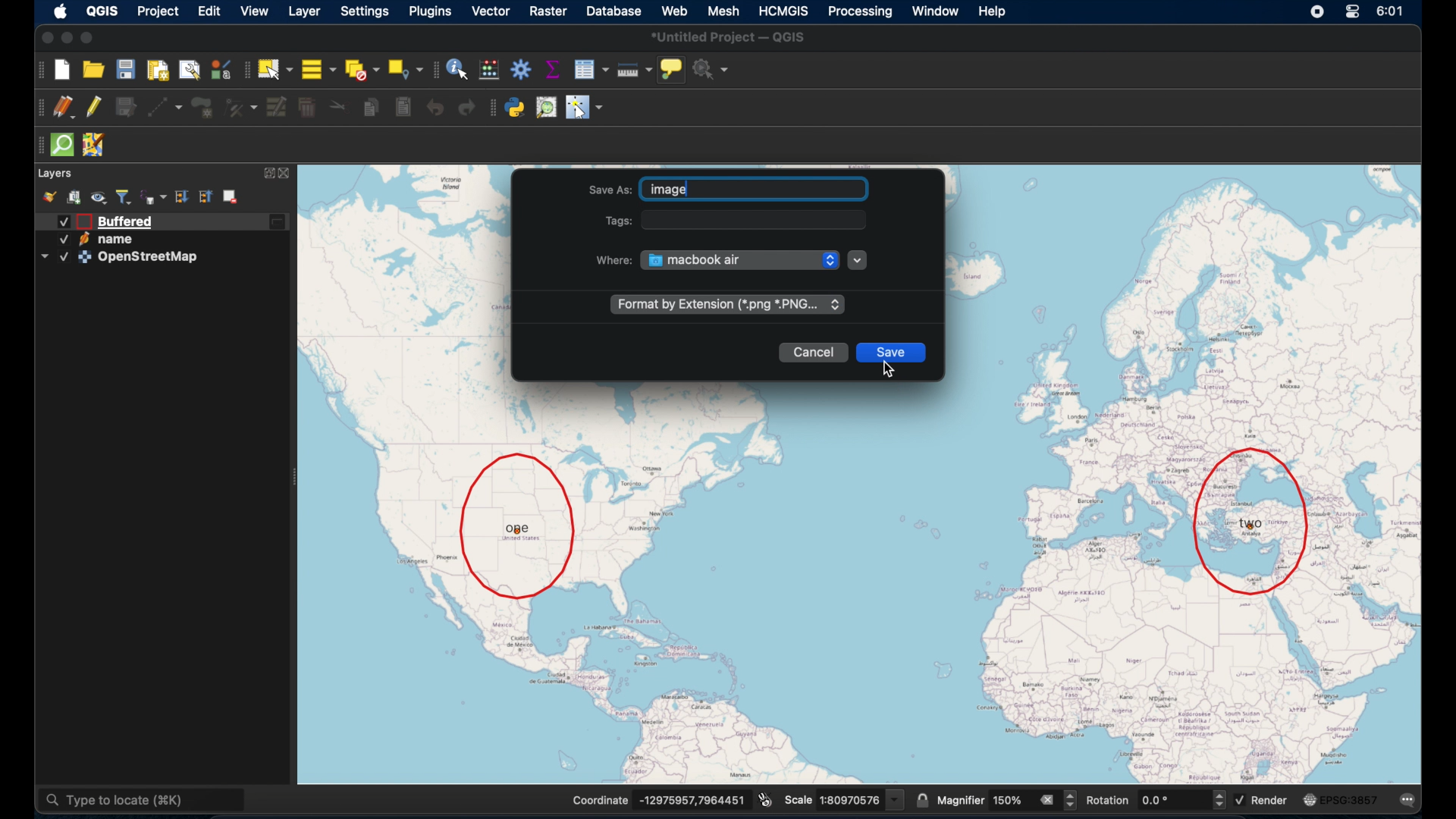 This screenshot has width=1456, height=819. What do you see at coordinates (436, 69) in the screenshot?
I see `drag handle` at bounding box center [436, 69].